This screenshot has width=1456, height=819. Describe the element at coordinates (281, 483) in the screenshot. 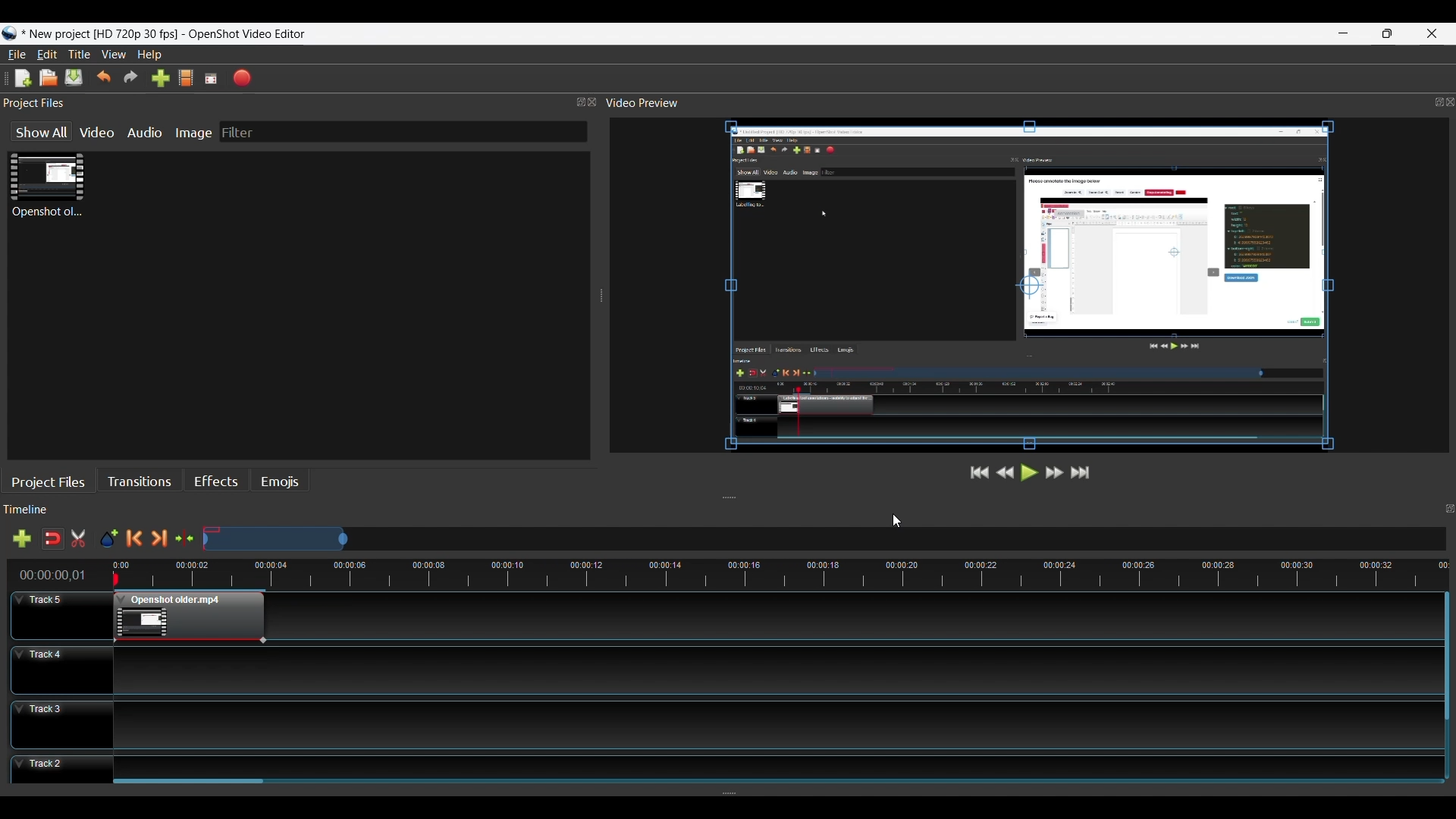

I see `Emojis` at that location.